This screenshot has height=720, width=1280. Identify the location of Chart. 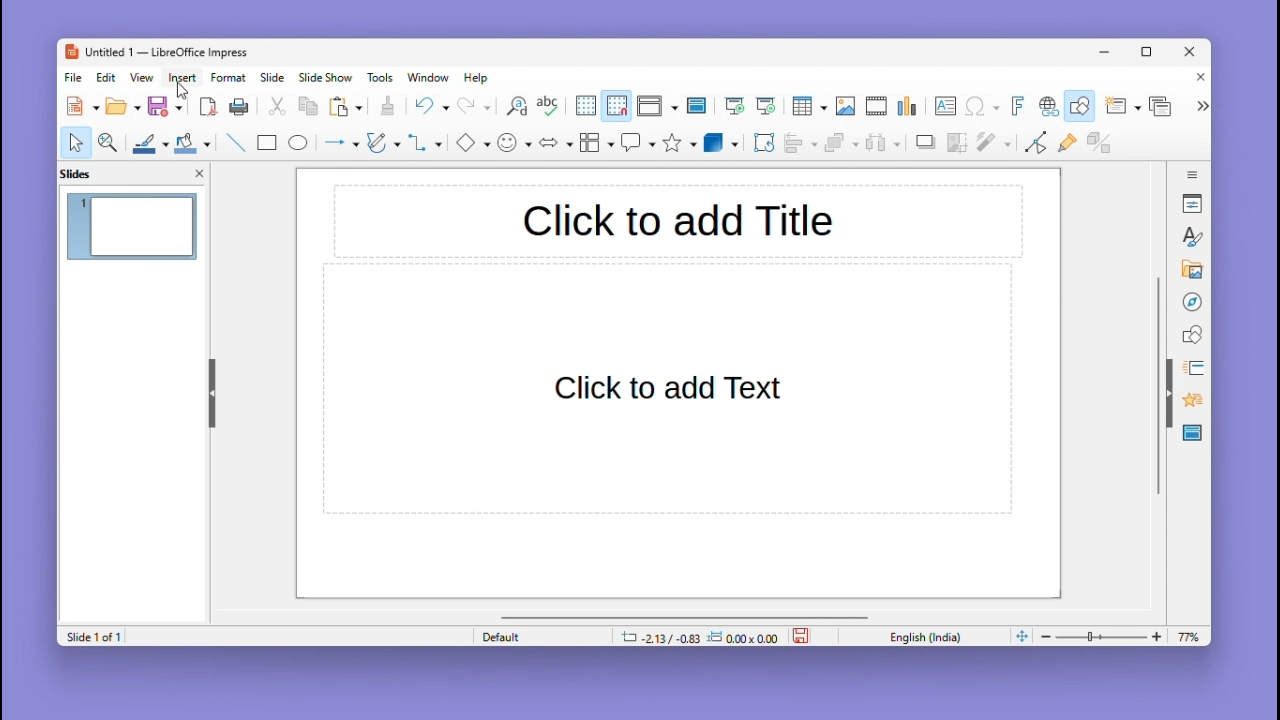
(909, 107).